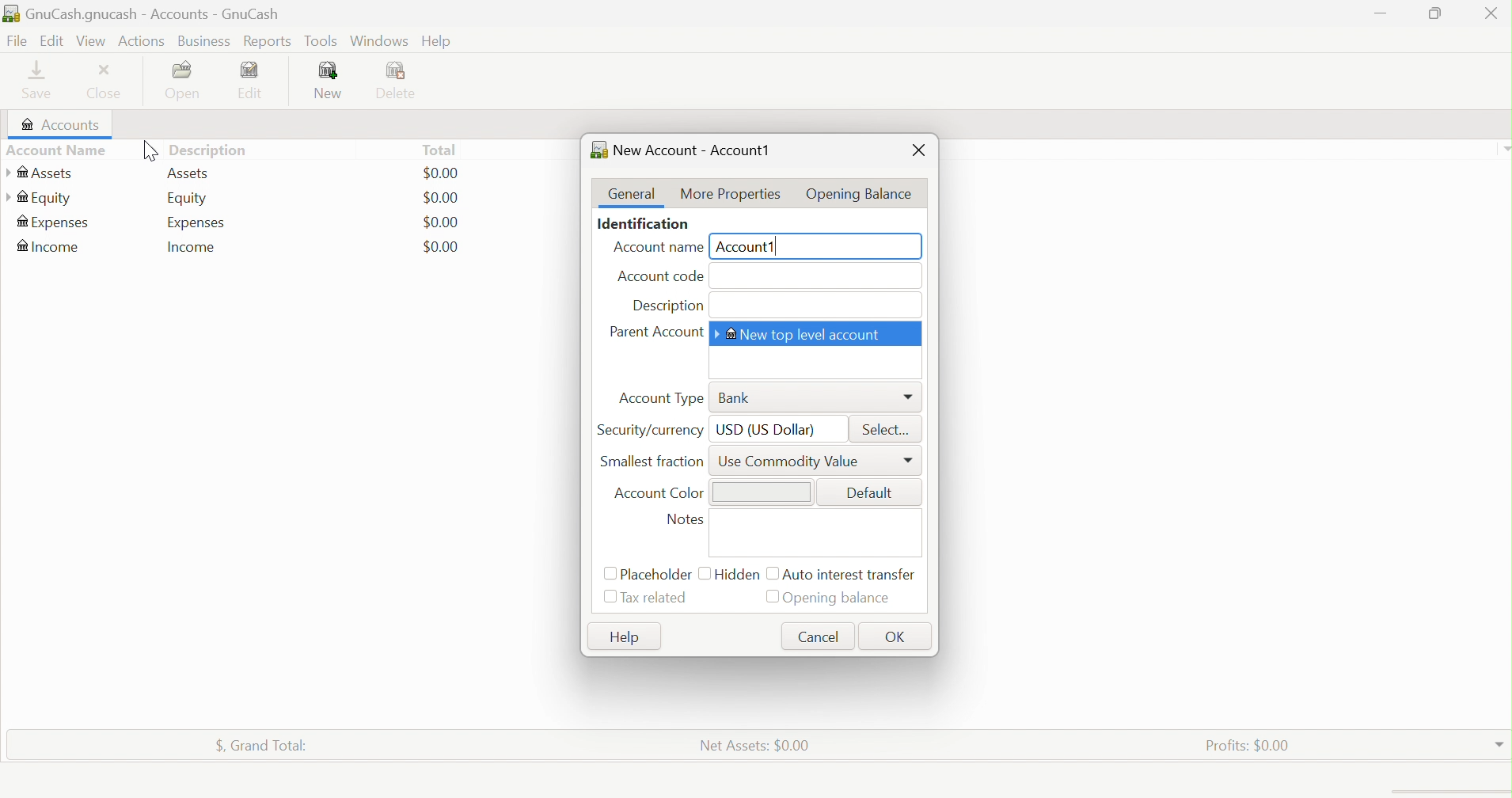 Image resolution: width=1512 pixels, height=798 pixels. I want to click on Drop Down, so click(1499, 741).